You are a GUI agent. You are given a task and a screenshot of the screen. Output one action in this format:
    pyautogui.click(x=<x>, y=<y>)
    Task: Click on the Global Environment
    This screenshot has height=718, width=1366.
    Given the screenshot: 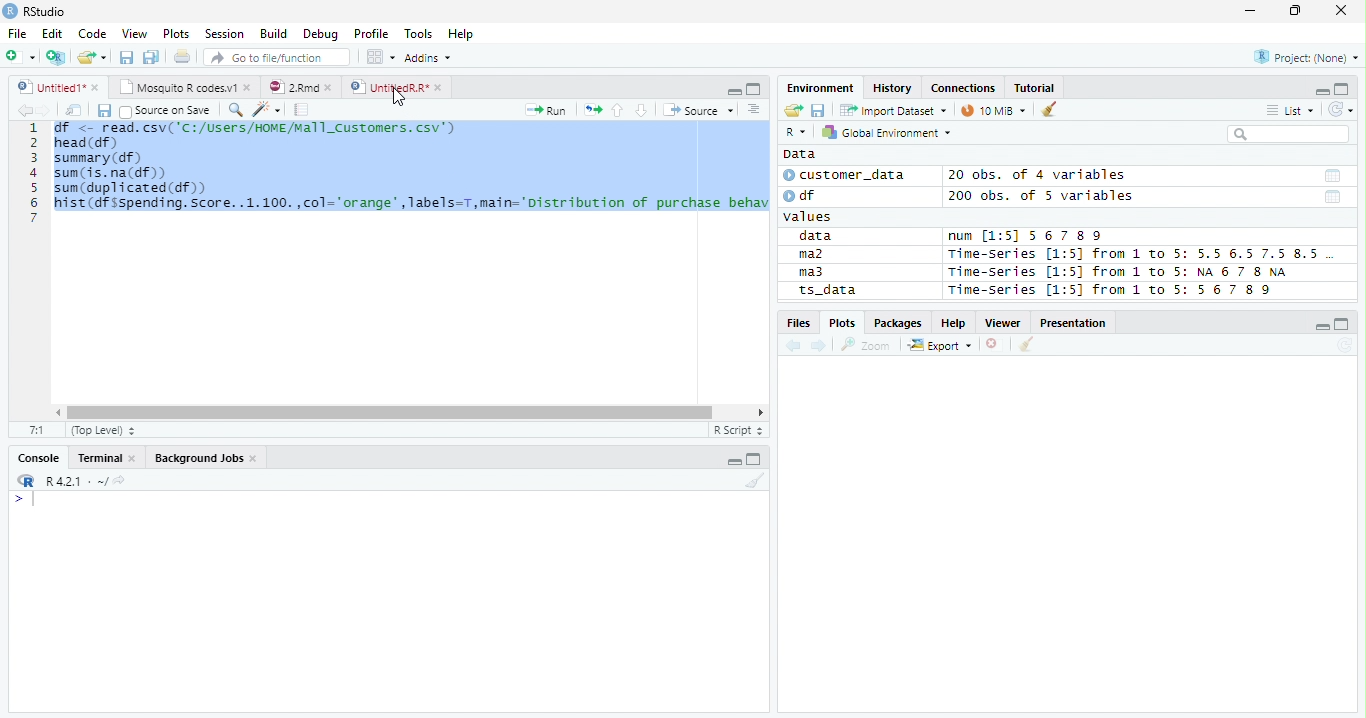 What is the action you would take?
    pyautogui.click(x=887, y=132)
    